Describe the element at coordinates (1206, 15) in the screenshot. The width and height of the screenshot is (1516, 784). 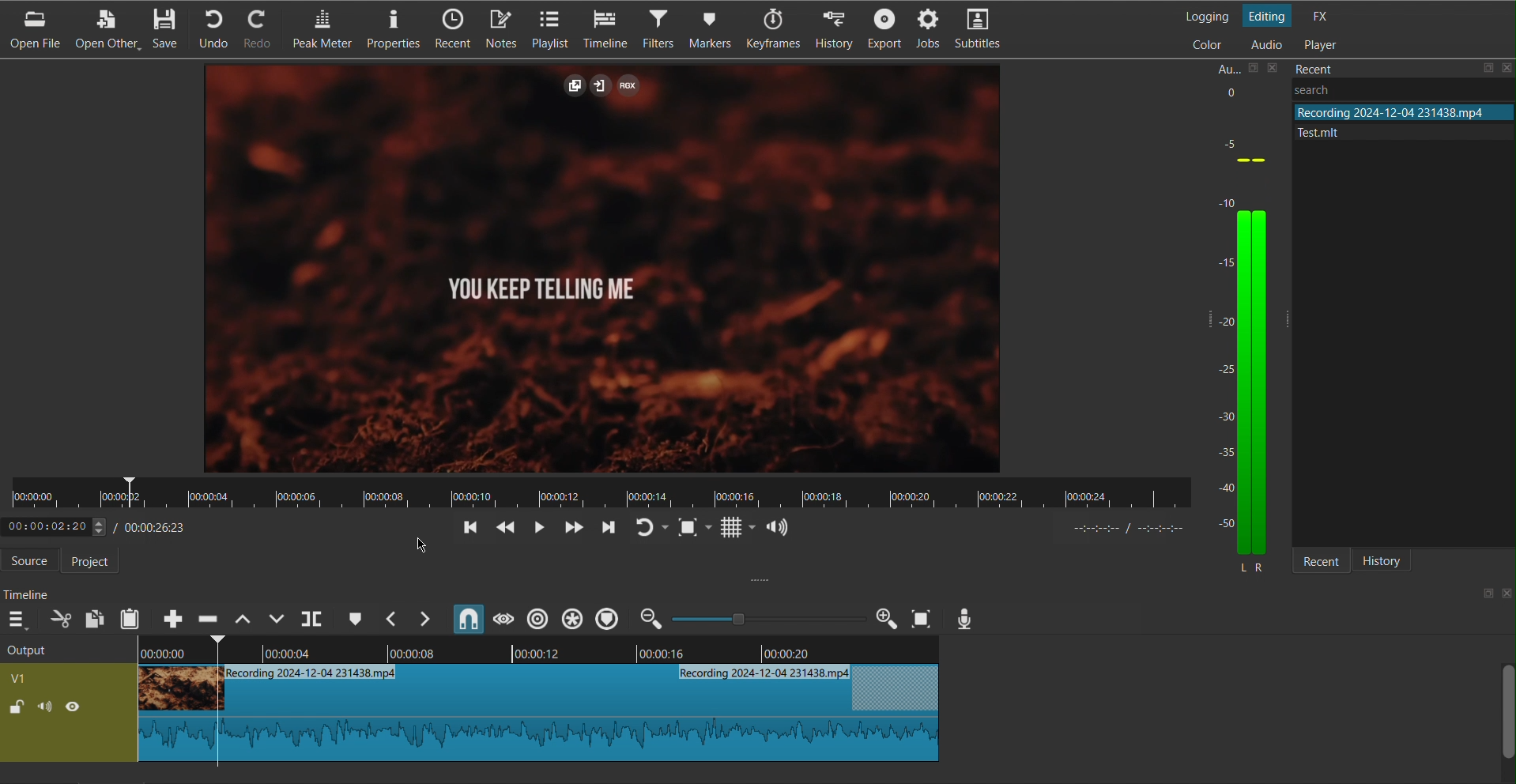
I see `Logging` at that location.